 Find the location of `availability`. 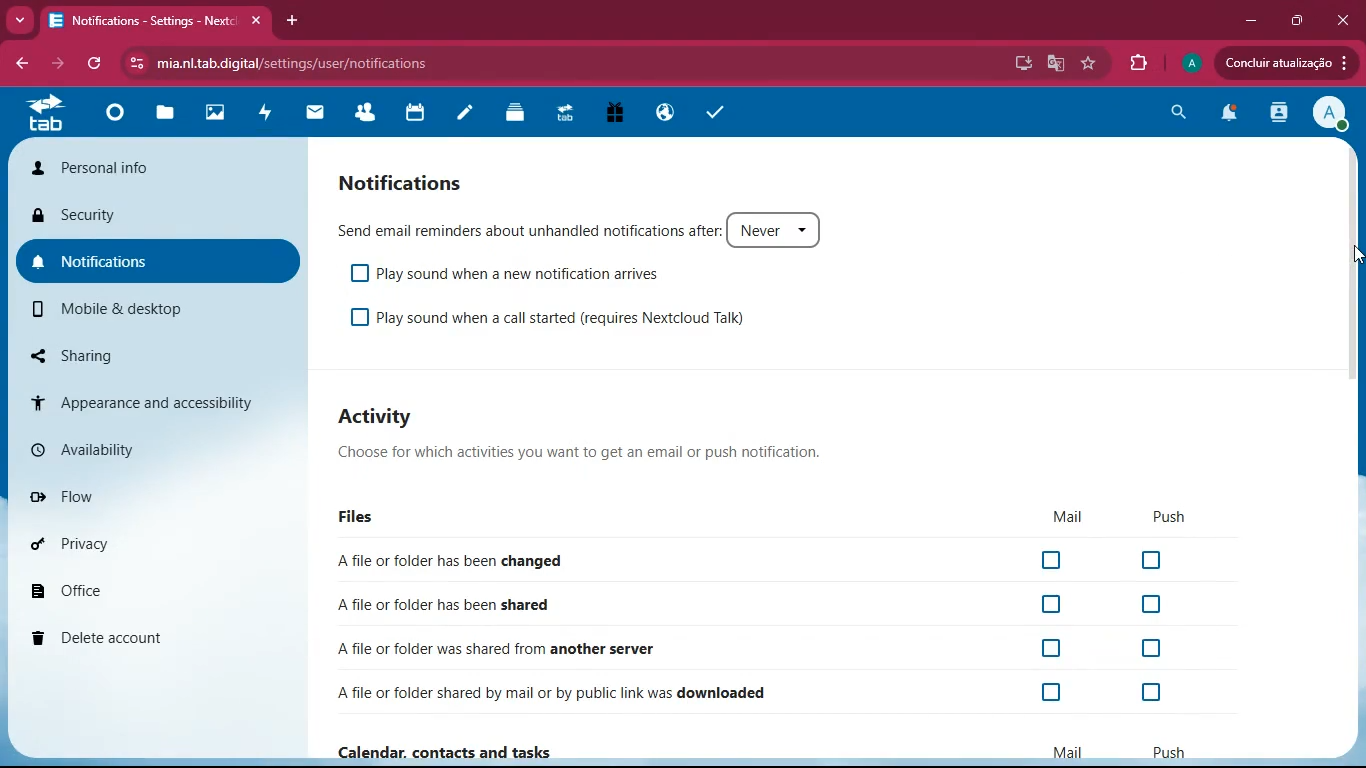

availability is located at coordinates (141, 449).